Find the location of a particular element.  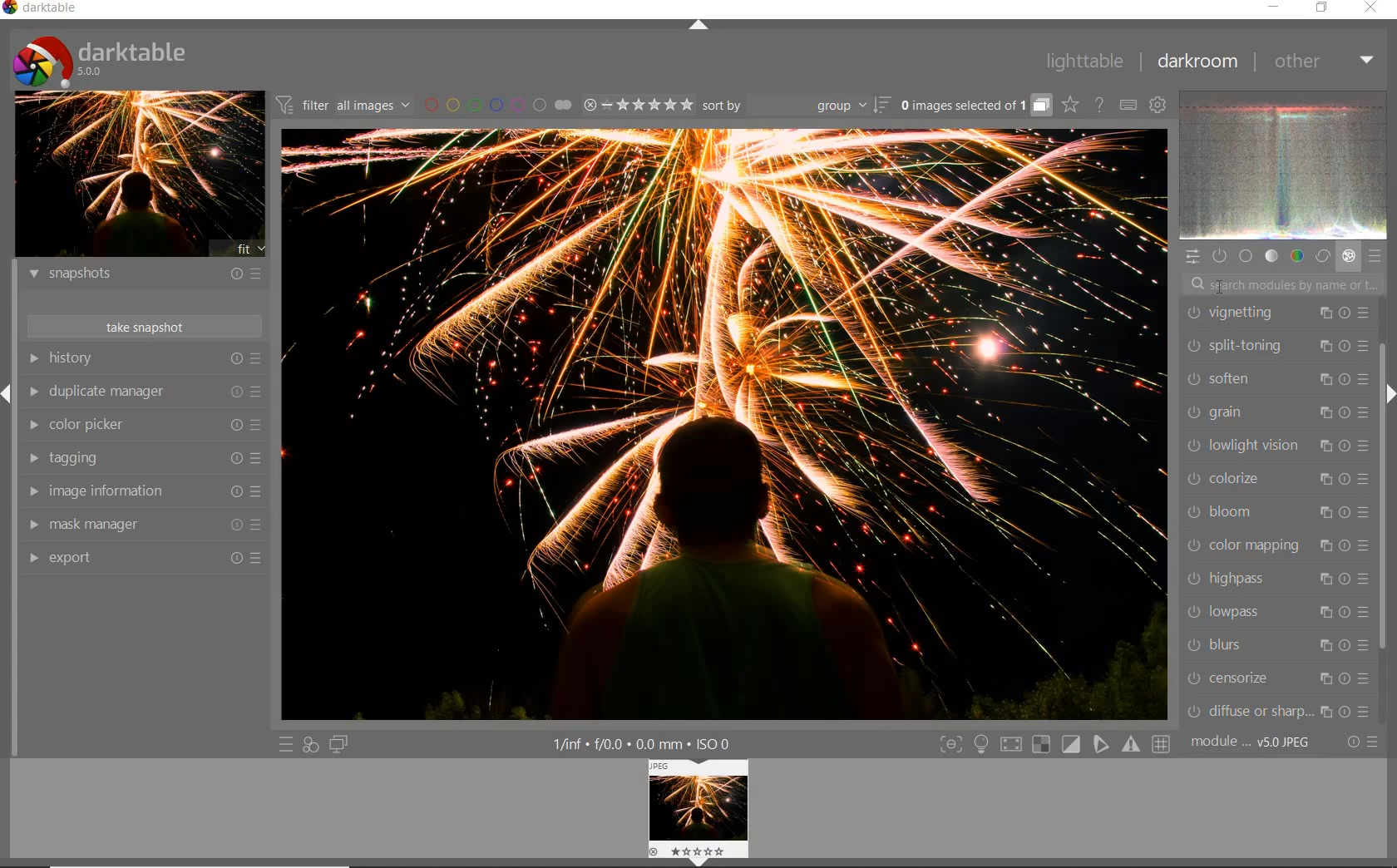

show global preferences is located at coordinates (1156, 105).